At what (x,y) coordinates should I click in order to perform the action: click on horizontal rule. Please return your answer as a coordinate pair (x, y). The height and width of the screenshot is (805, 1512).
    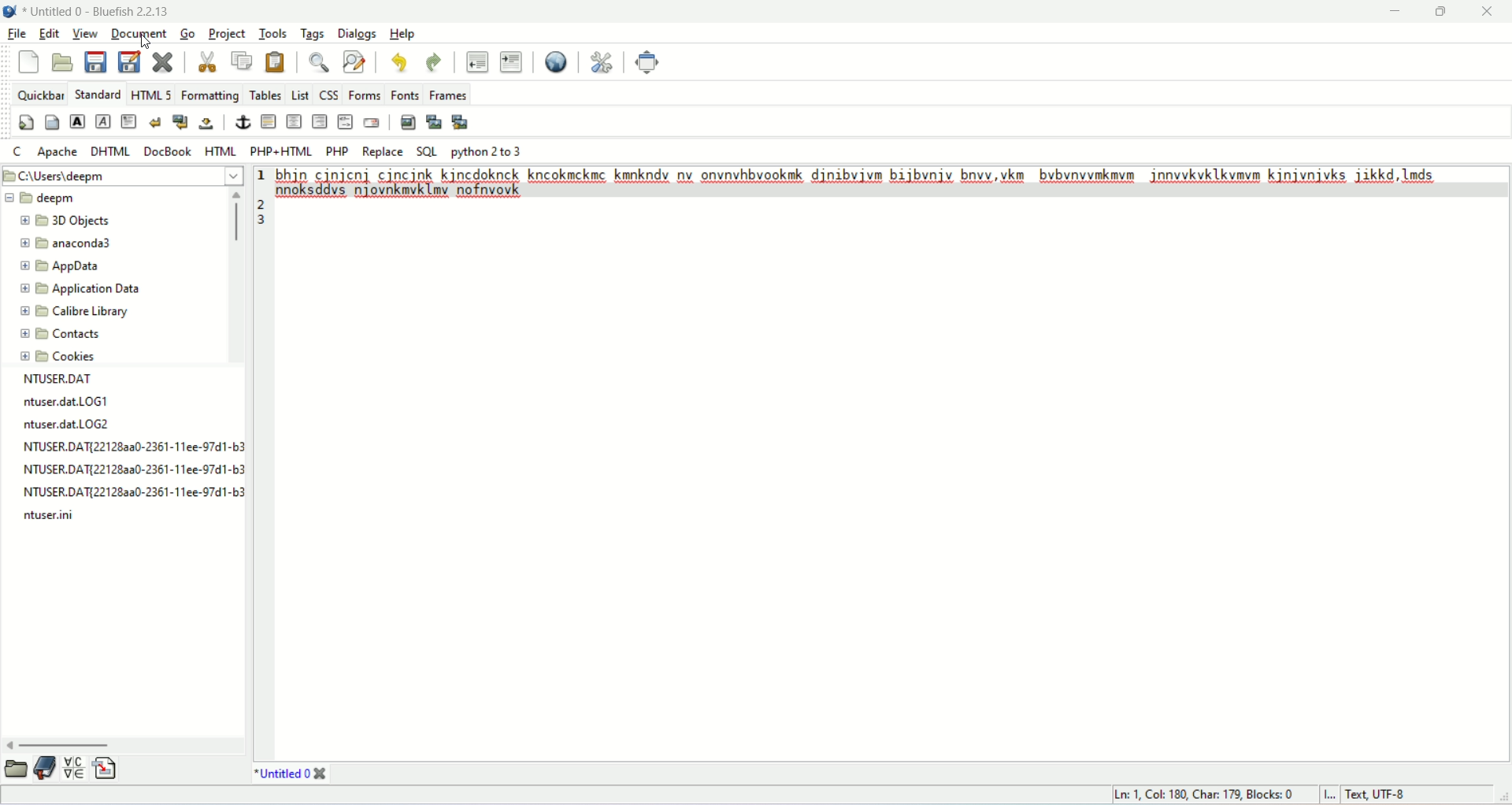
    Looking at the image, I should click on (270, 122).